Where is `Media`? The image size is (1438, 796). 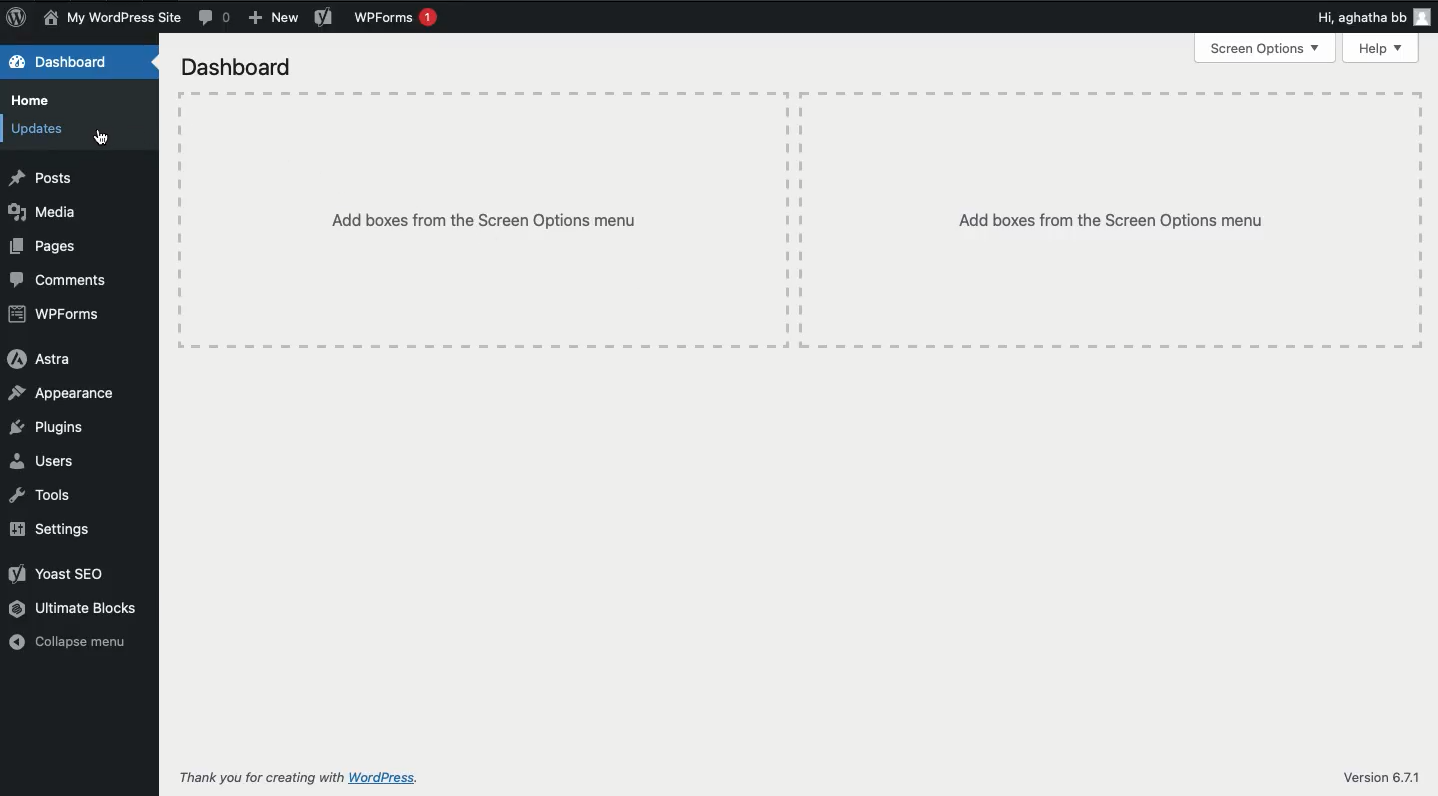
Media is located at coordinates (42, 211).